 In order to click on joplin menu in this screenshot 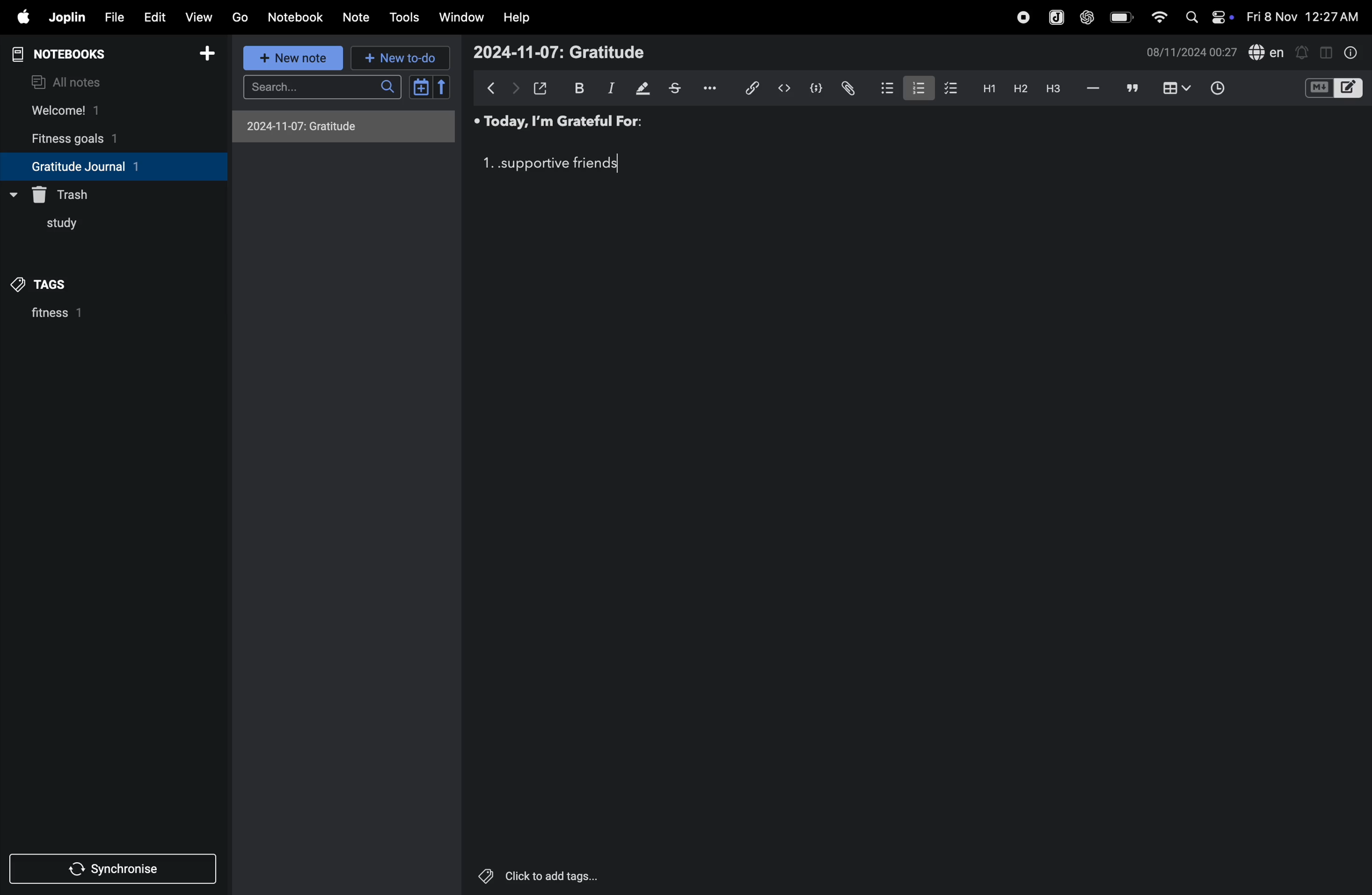, I will do `click(1056, 18)`.